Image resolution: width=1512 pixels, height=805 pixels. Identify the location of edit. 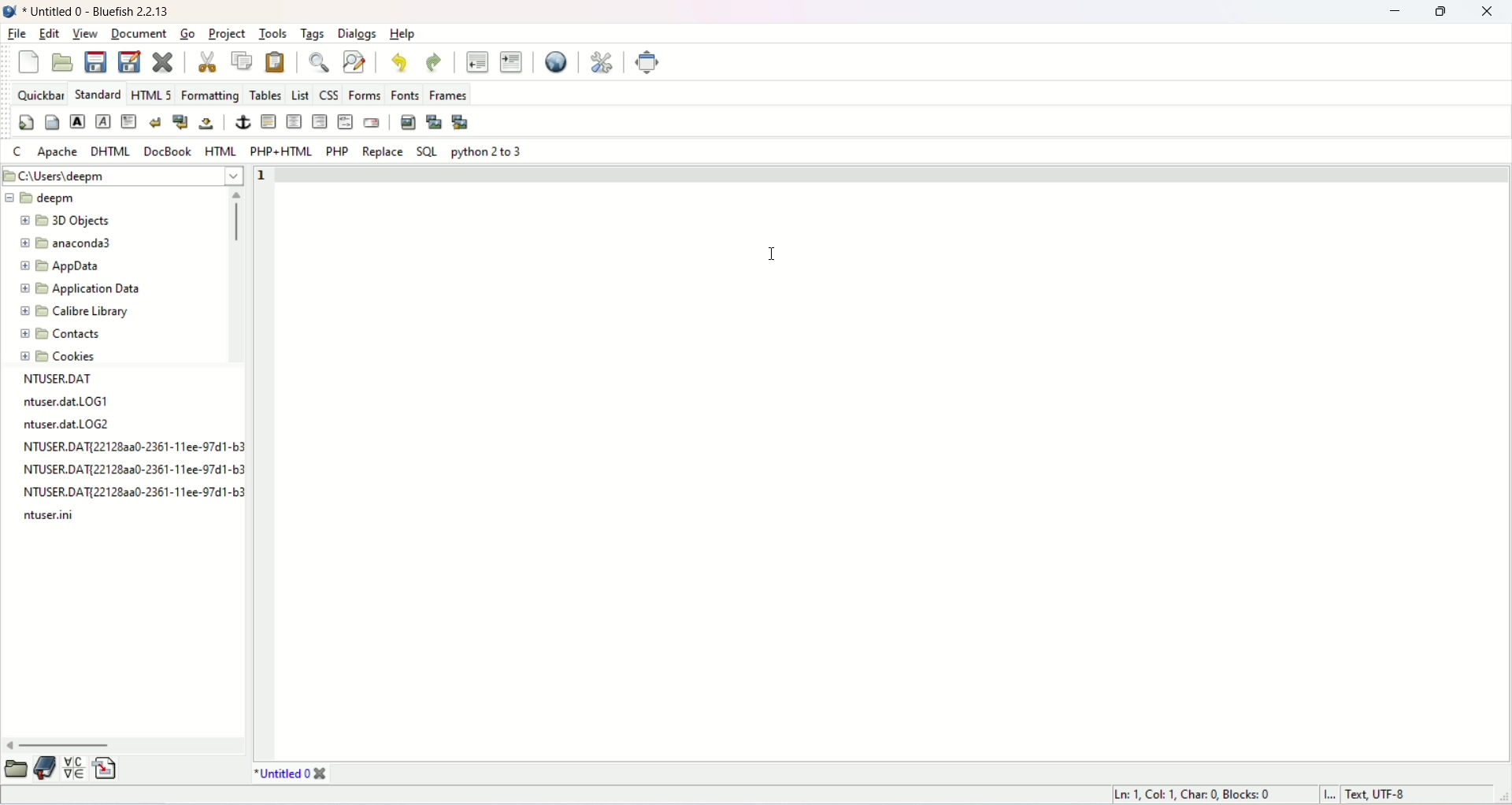
(49, 36).